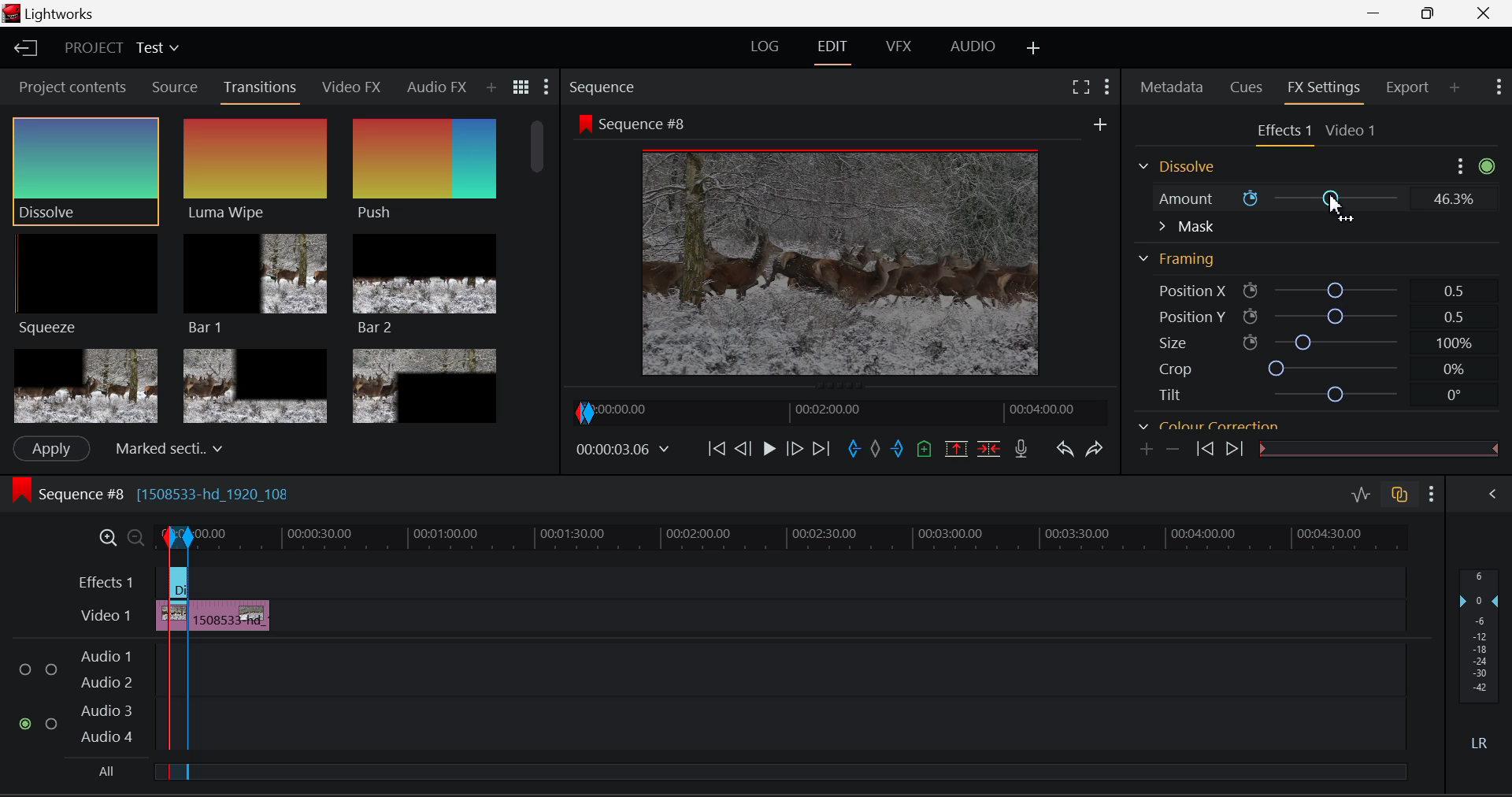 The width and height of the screenshot is (1512, 797). What do you see at coordinates (1499, 87) in the screenshot?
I see `Show Settings` at bounding box center [1499, 87].